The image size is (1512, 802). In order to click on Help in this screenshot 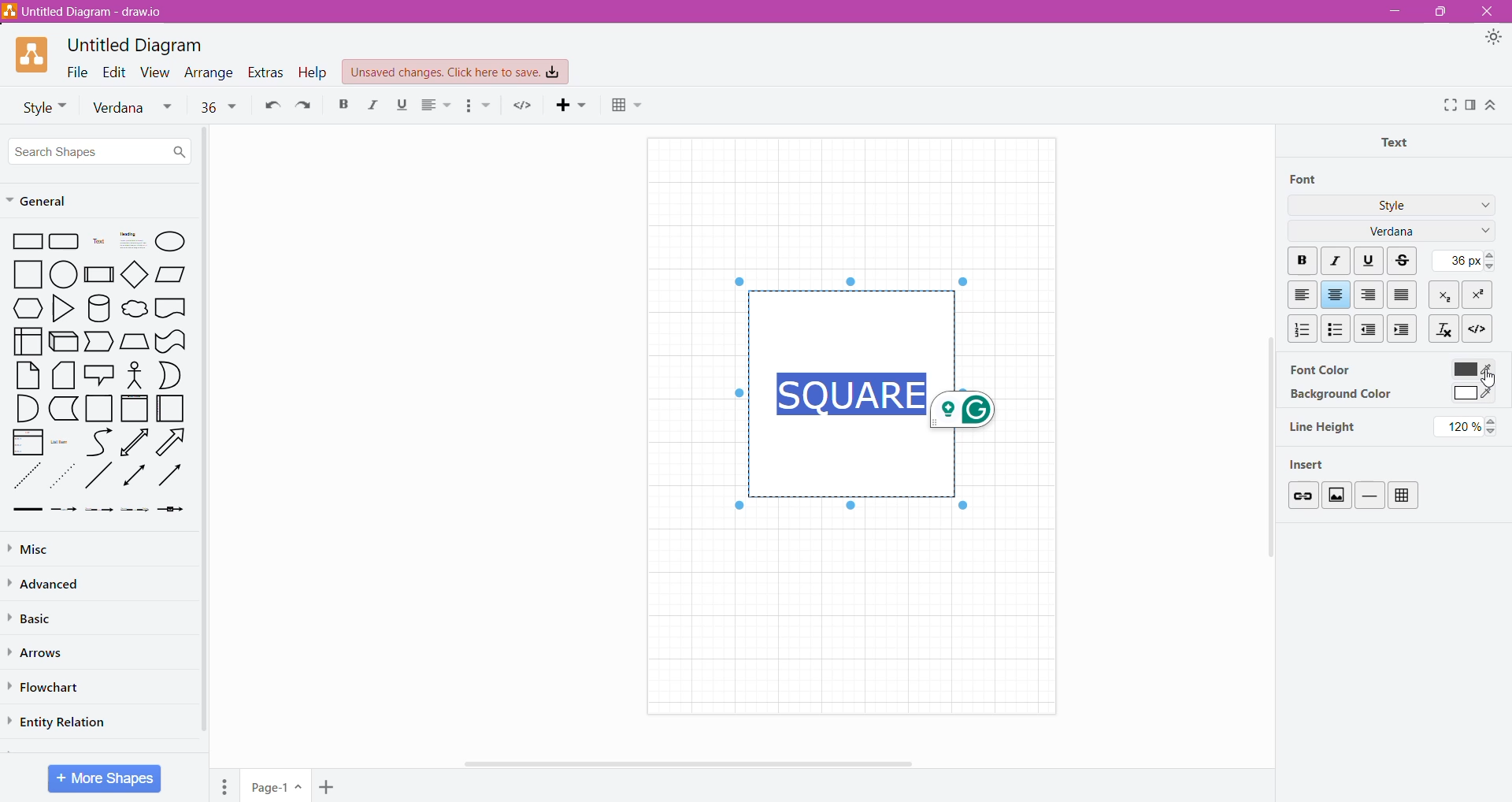, I will do `click(315, 72)`.